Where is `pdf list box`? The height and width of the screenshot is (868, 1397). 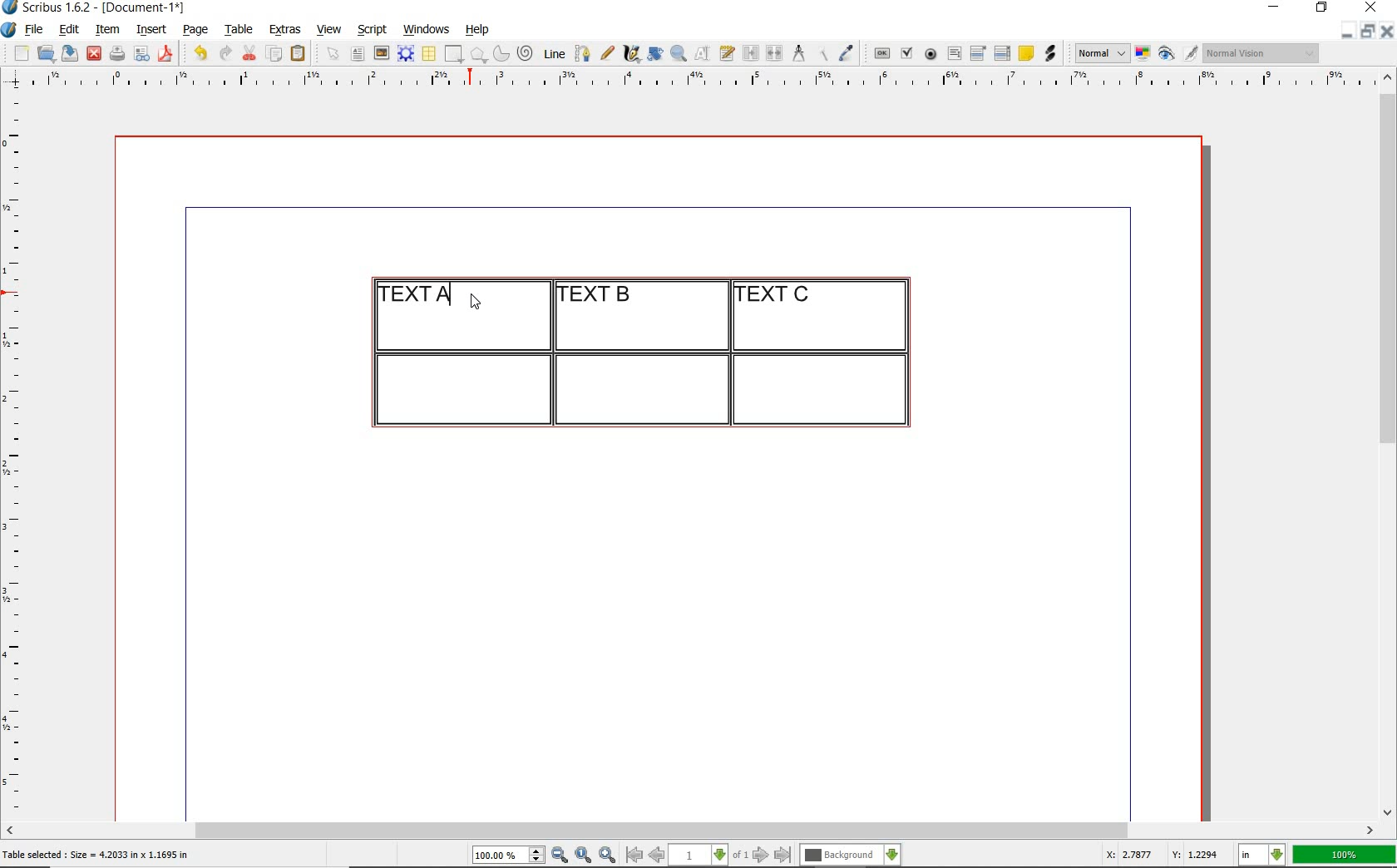
pdf list box is located at coordinates (1003, 53).